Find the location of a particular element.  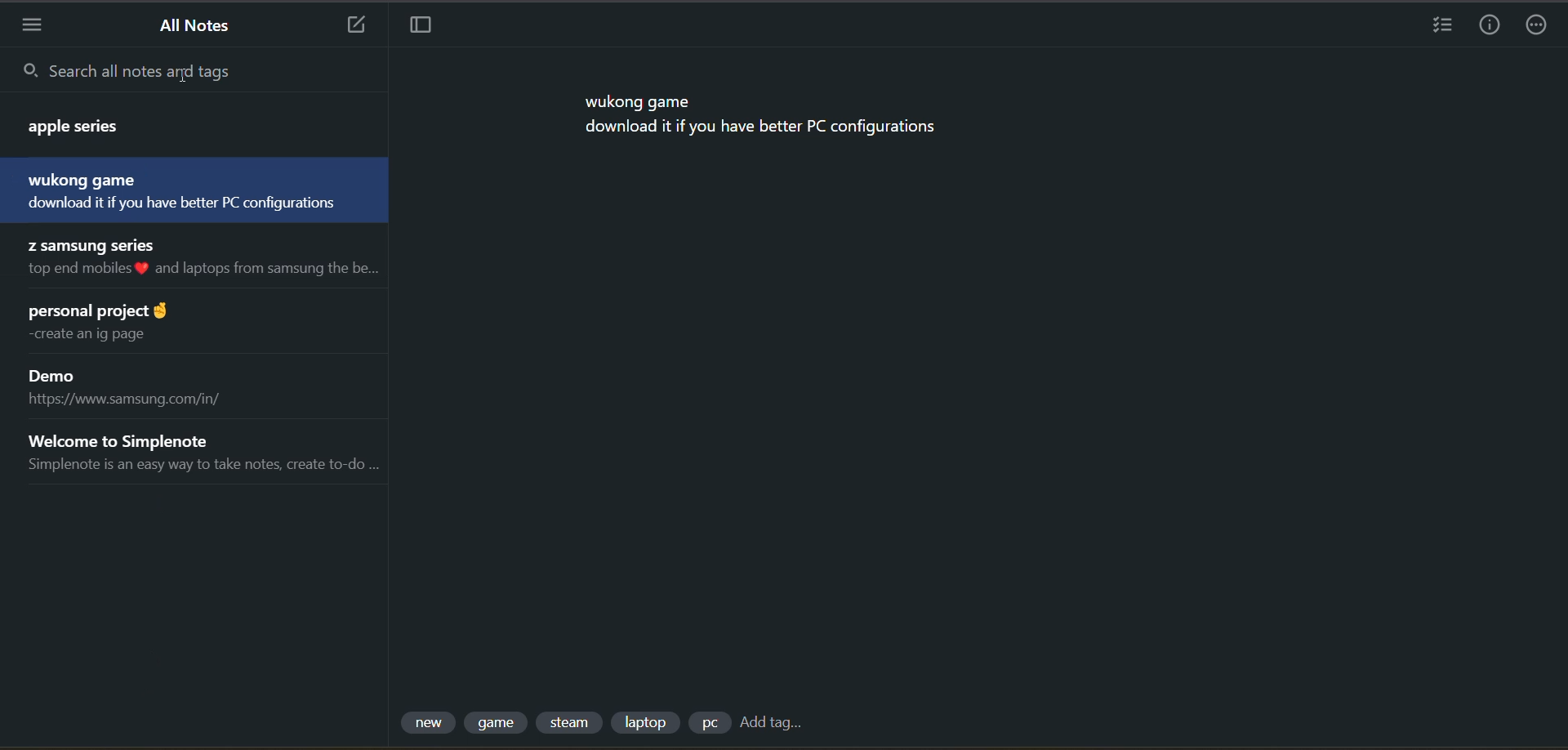

search all notes and tags is located at coordinates (191, 69).